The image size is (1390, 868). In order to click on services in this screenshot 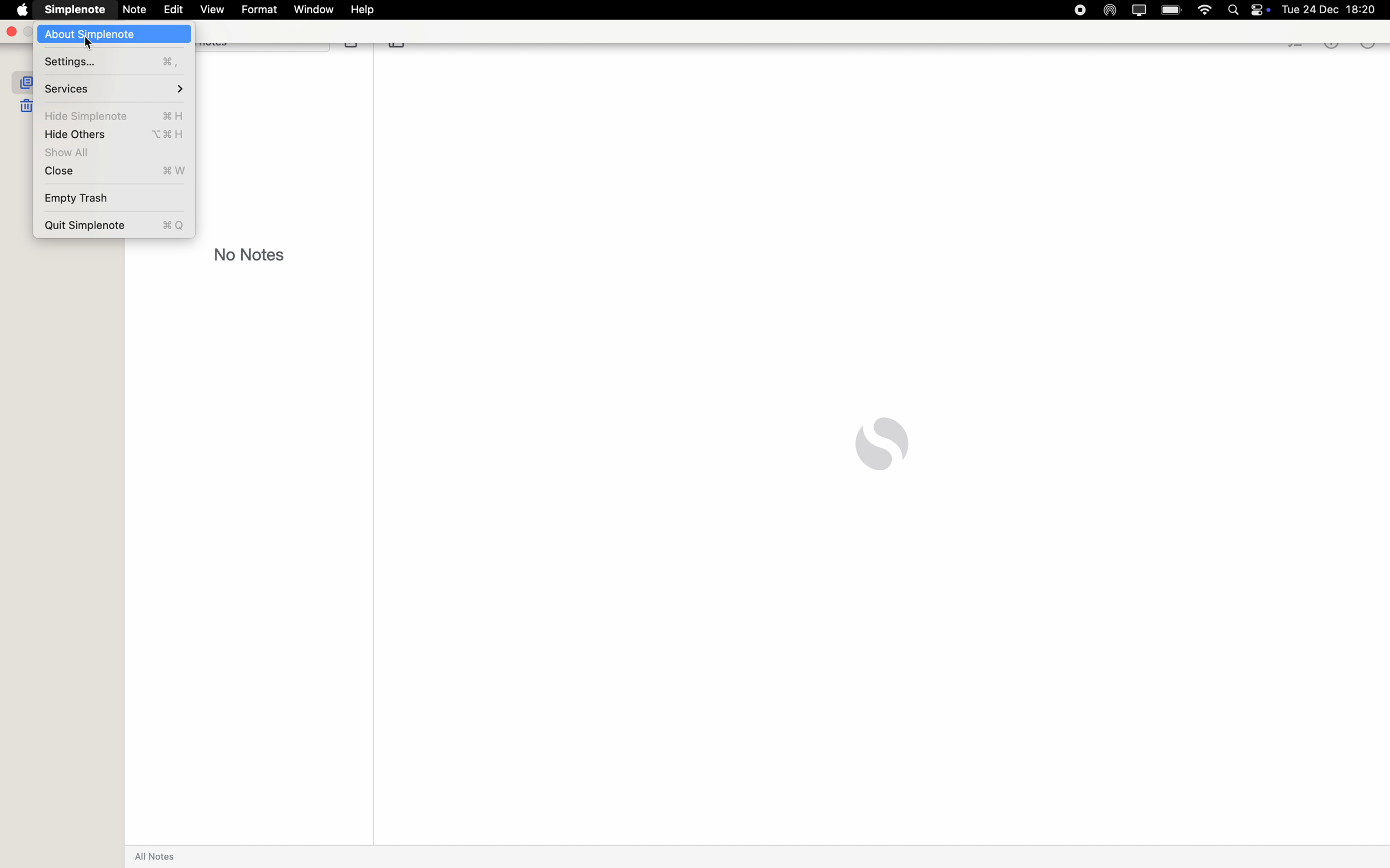, I will do `click(114, 88)`.